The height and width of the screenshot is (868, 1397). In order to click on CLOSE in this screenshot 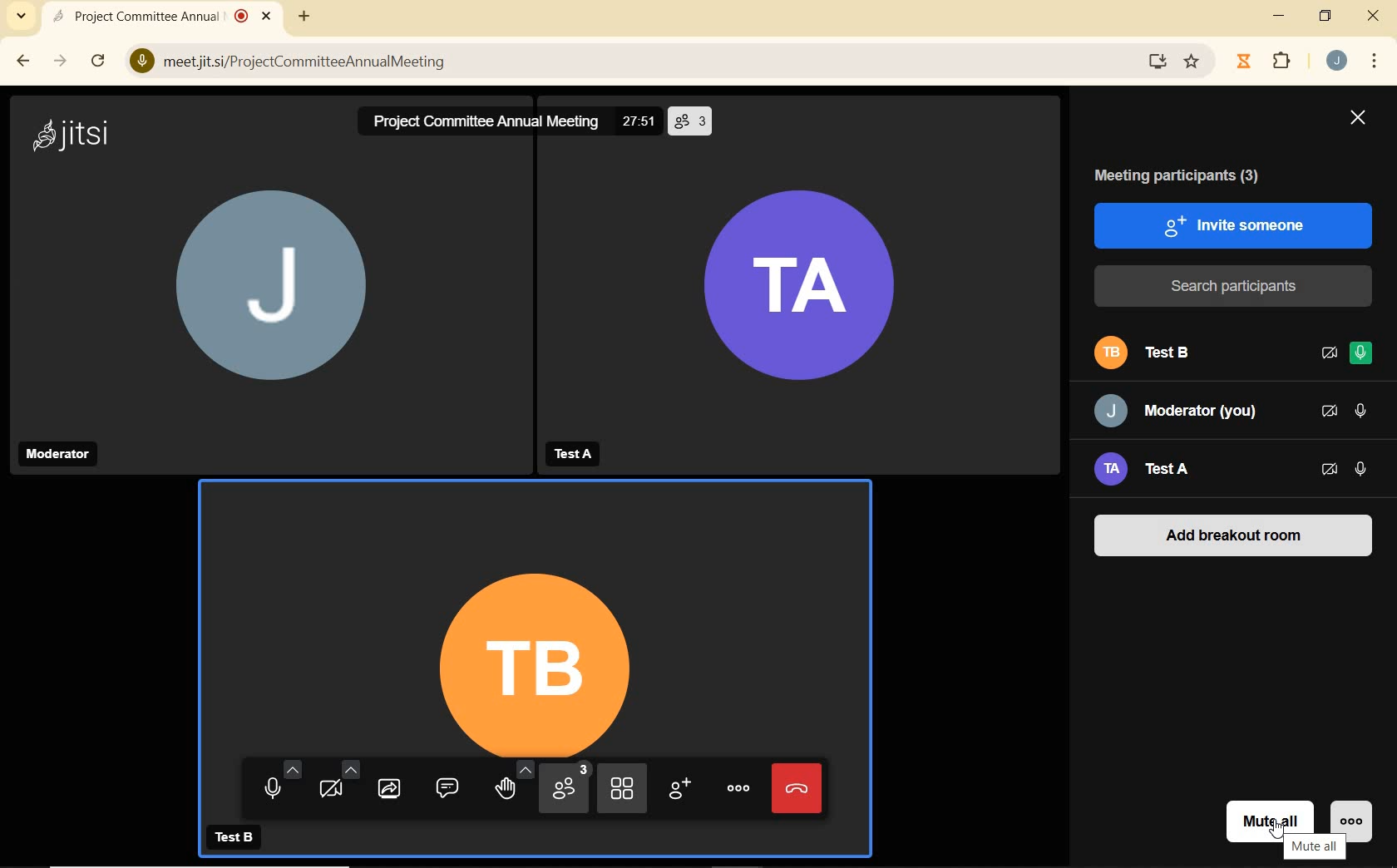, I will do `click(1374, 17)`.